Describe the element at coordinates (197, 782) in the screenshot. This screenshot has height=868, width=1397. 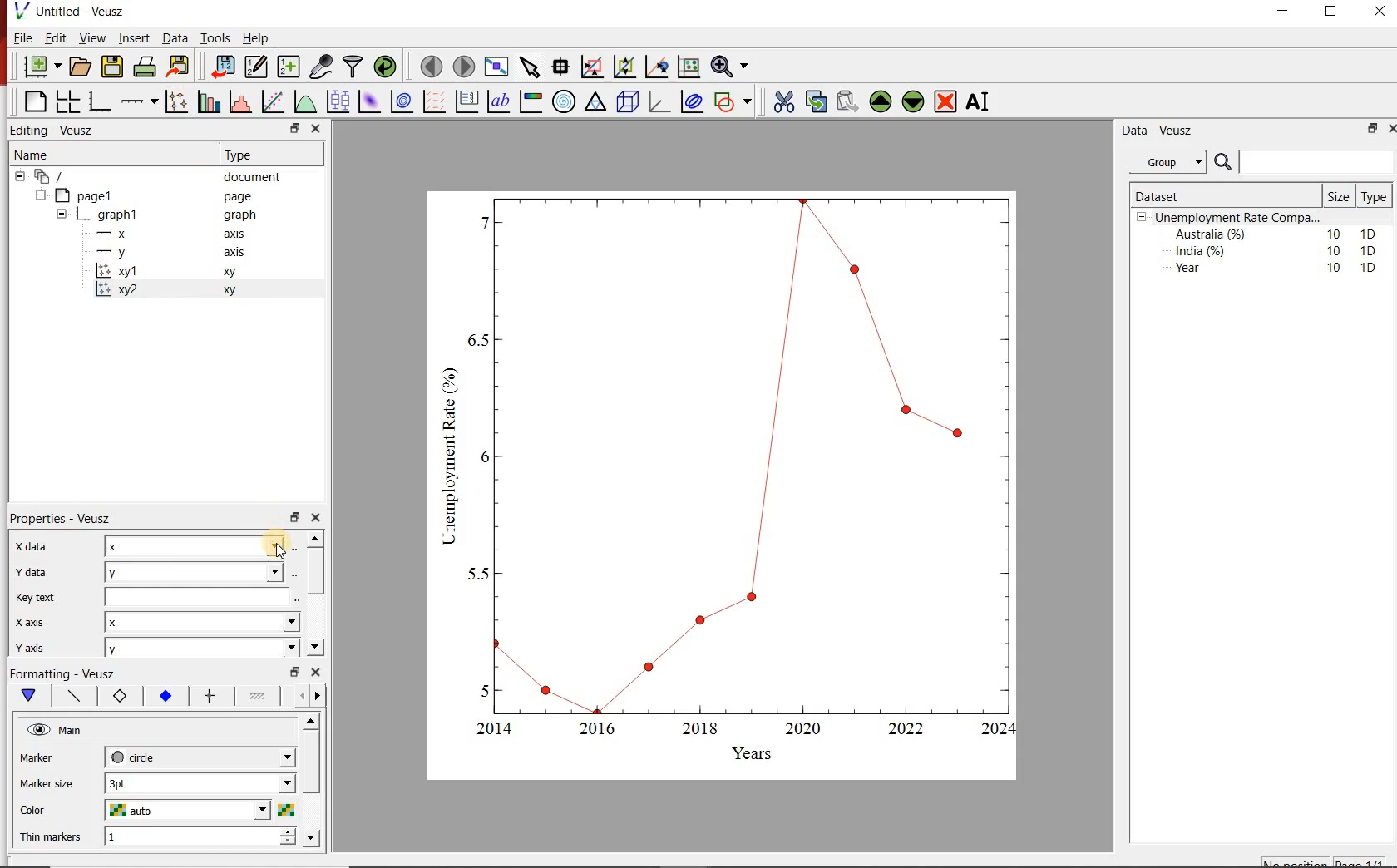
I see `1 pt` at that location.